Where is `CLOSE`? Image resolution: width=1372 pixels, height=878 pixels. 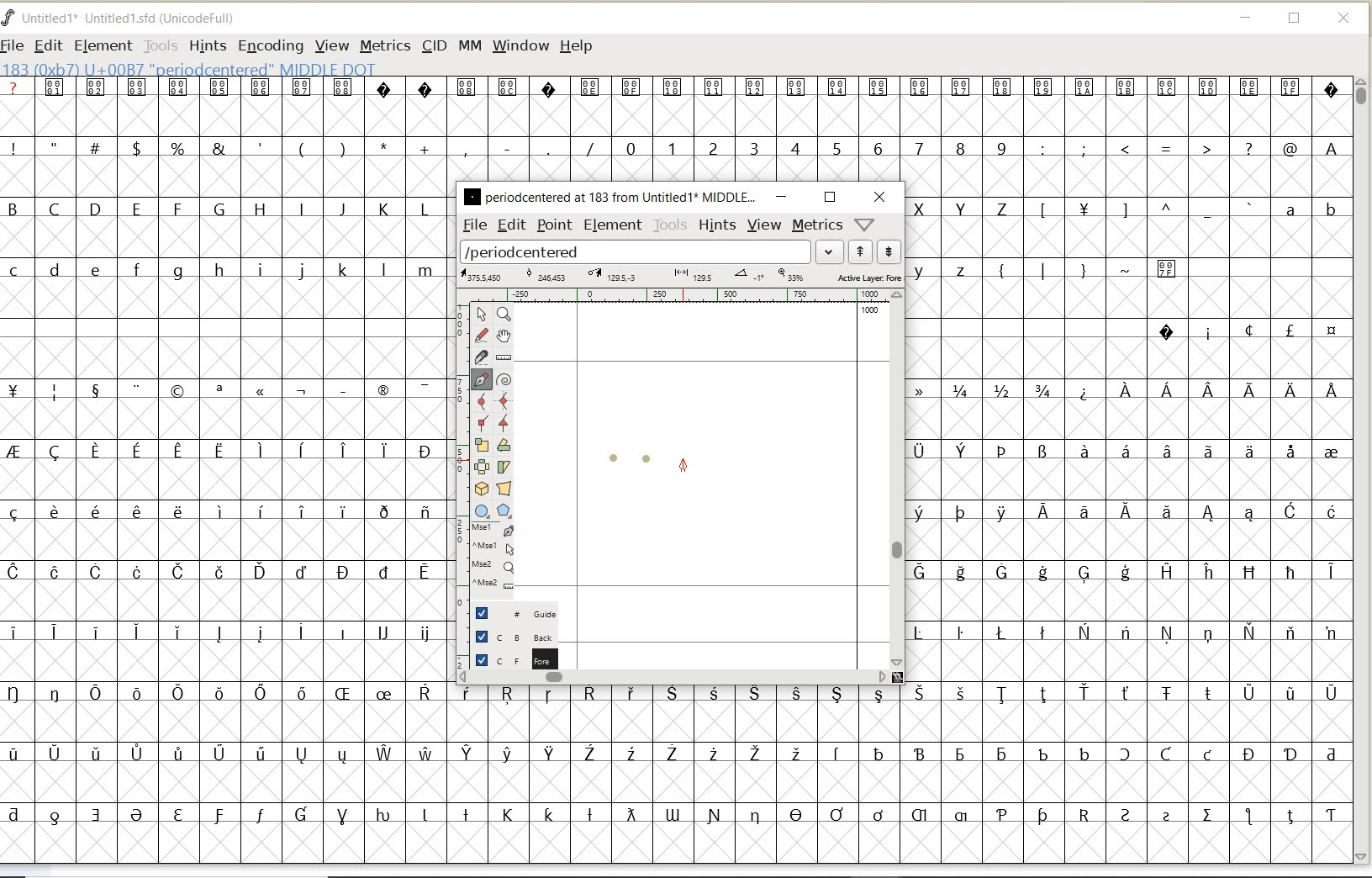 CLOSE is located at coordinates (1345, 19).